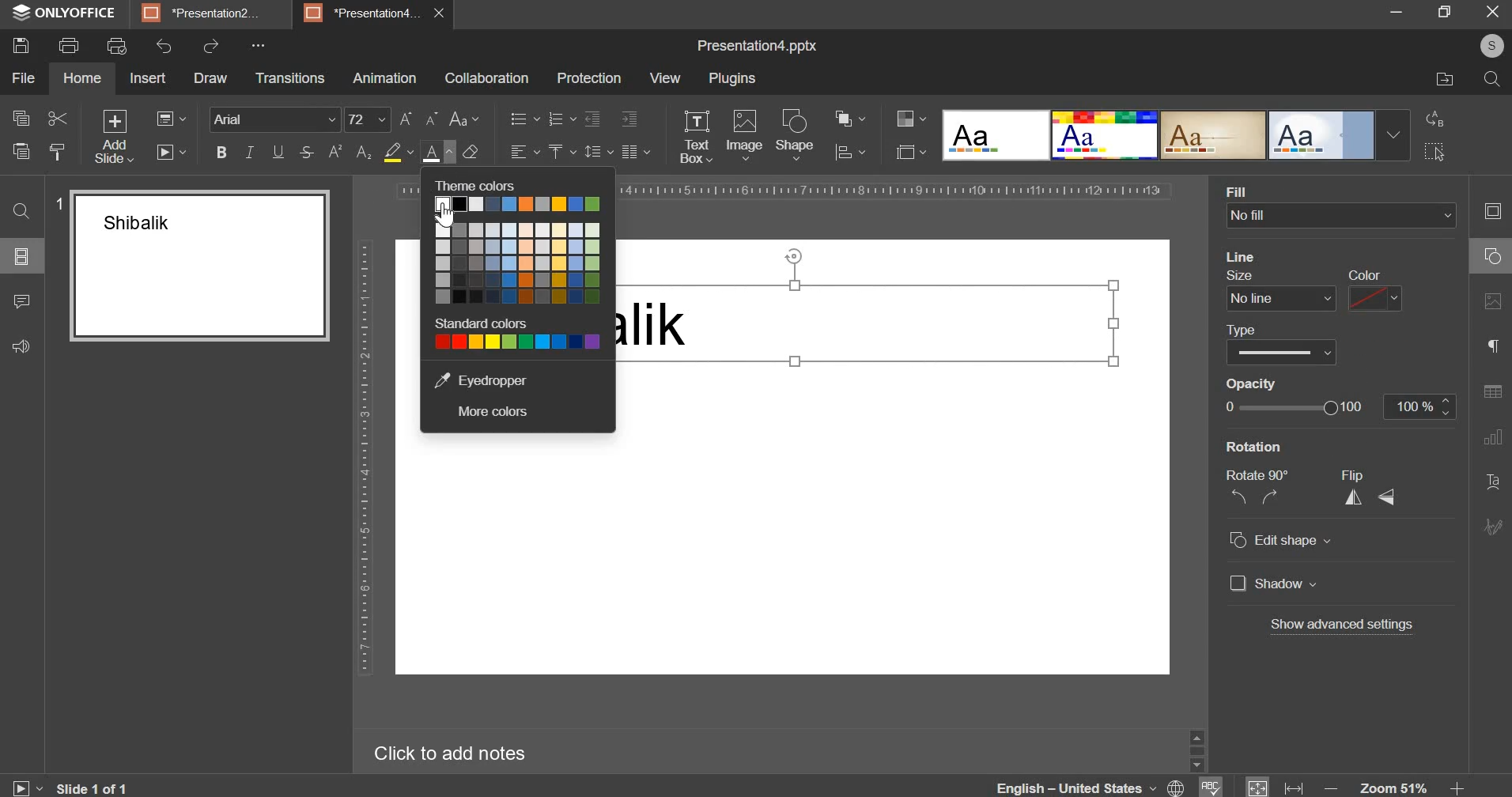 The width and height of the screenshot is (1512, 797). Describe the element at coordinates (437, 153) in the screenshot. I see `text color` at that location.